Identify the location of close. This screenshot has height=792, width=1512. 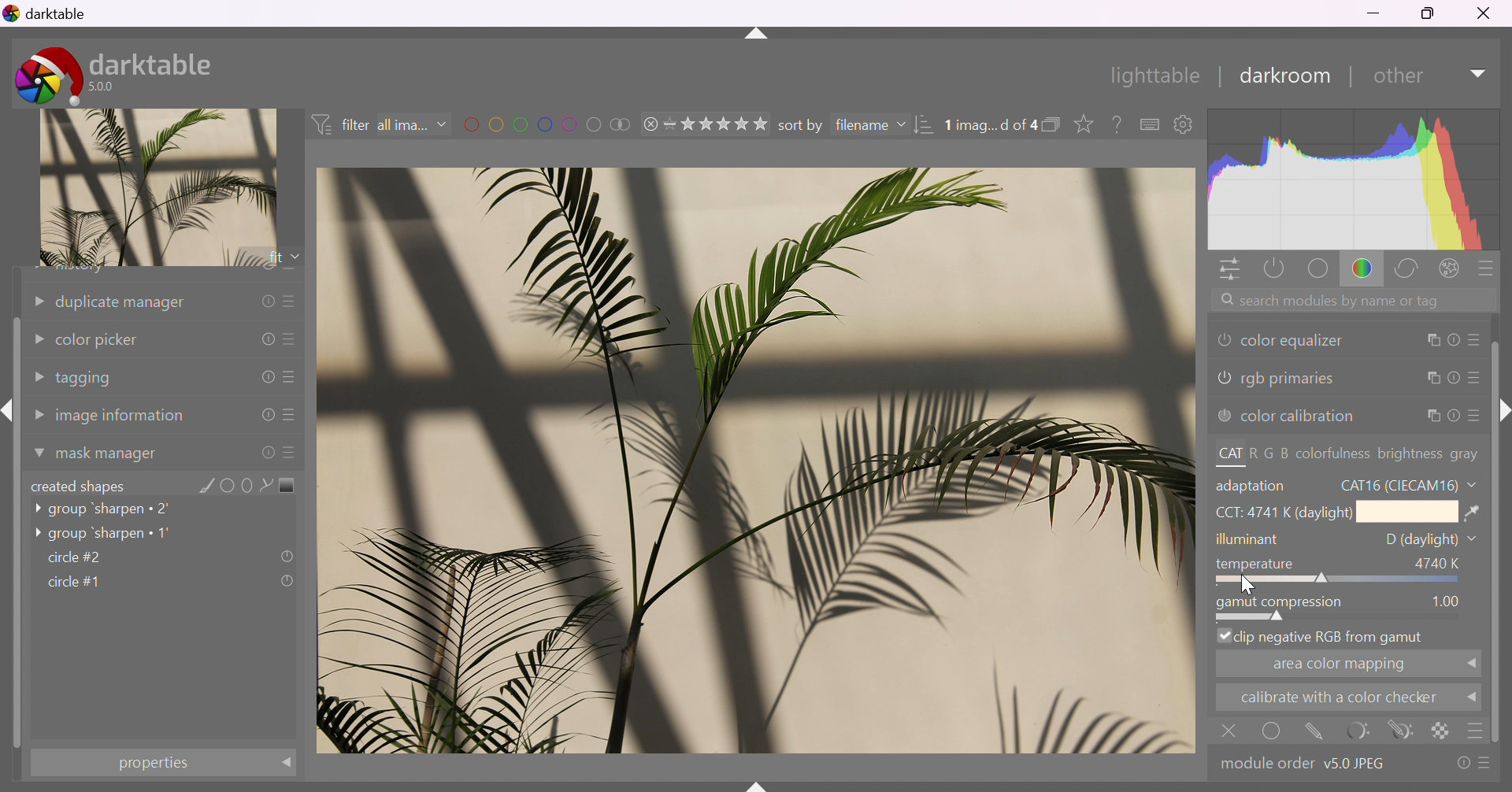
(1227, 733).